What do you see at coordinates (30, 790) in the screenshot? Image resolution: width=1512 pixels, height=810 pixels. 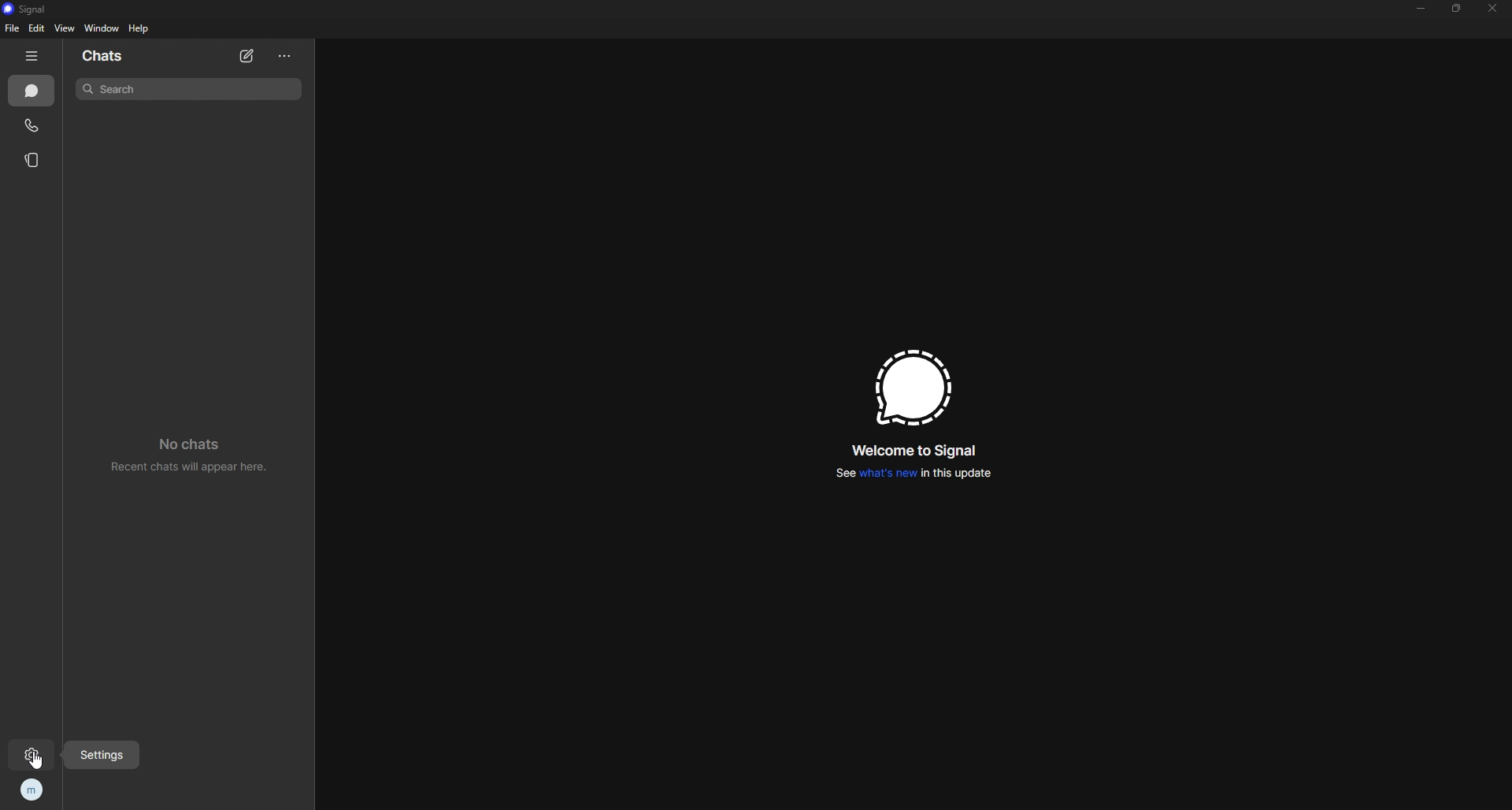 I see `profile` at bounding box center [30, 790].